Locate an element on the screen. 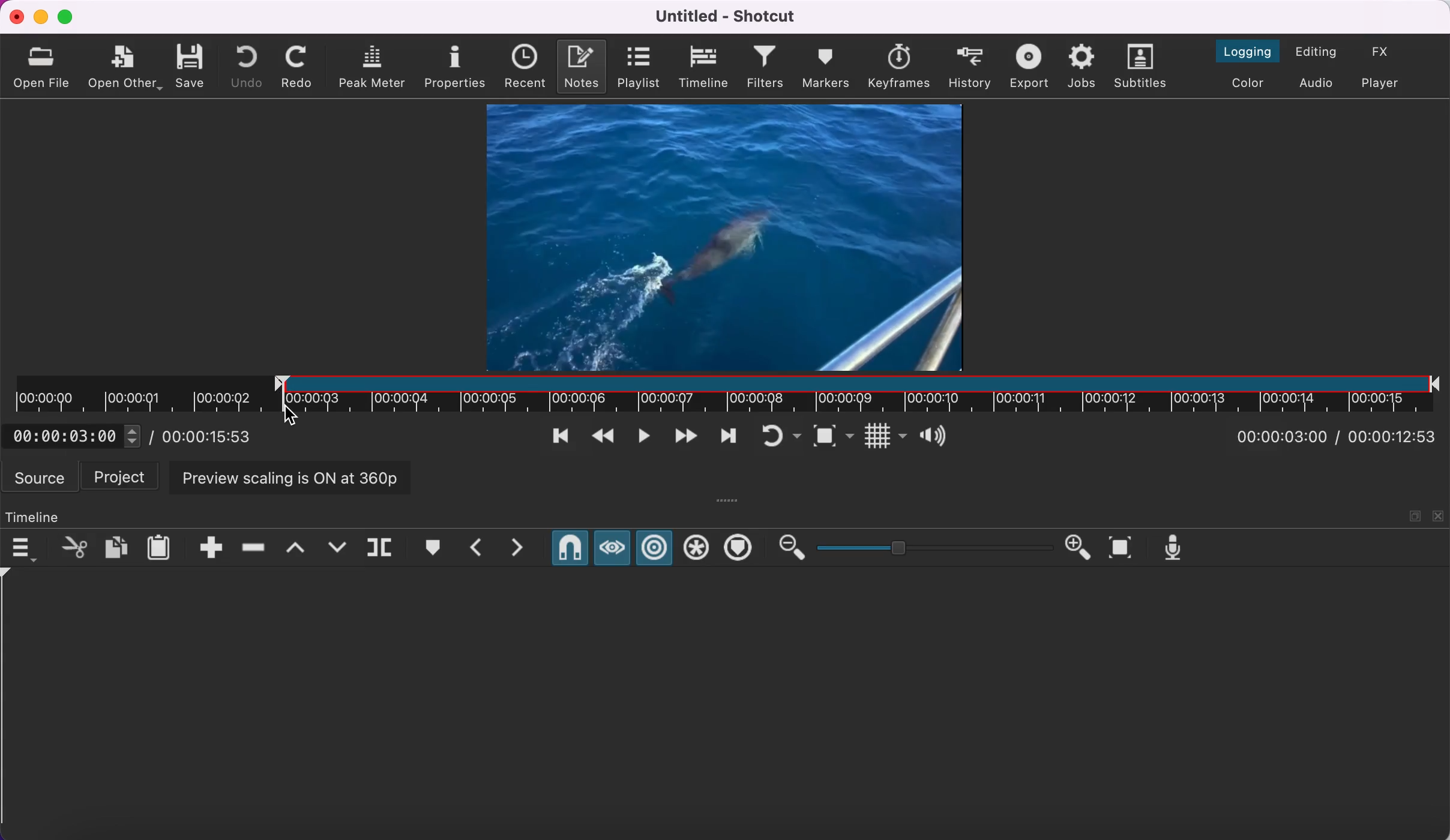  skip to previous point is located at coordinates (560, 434).